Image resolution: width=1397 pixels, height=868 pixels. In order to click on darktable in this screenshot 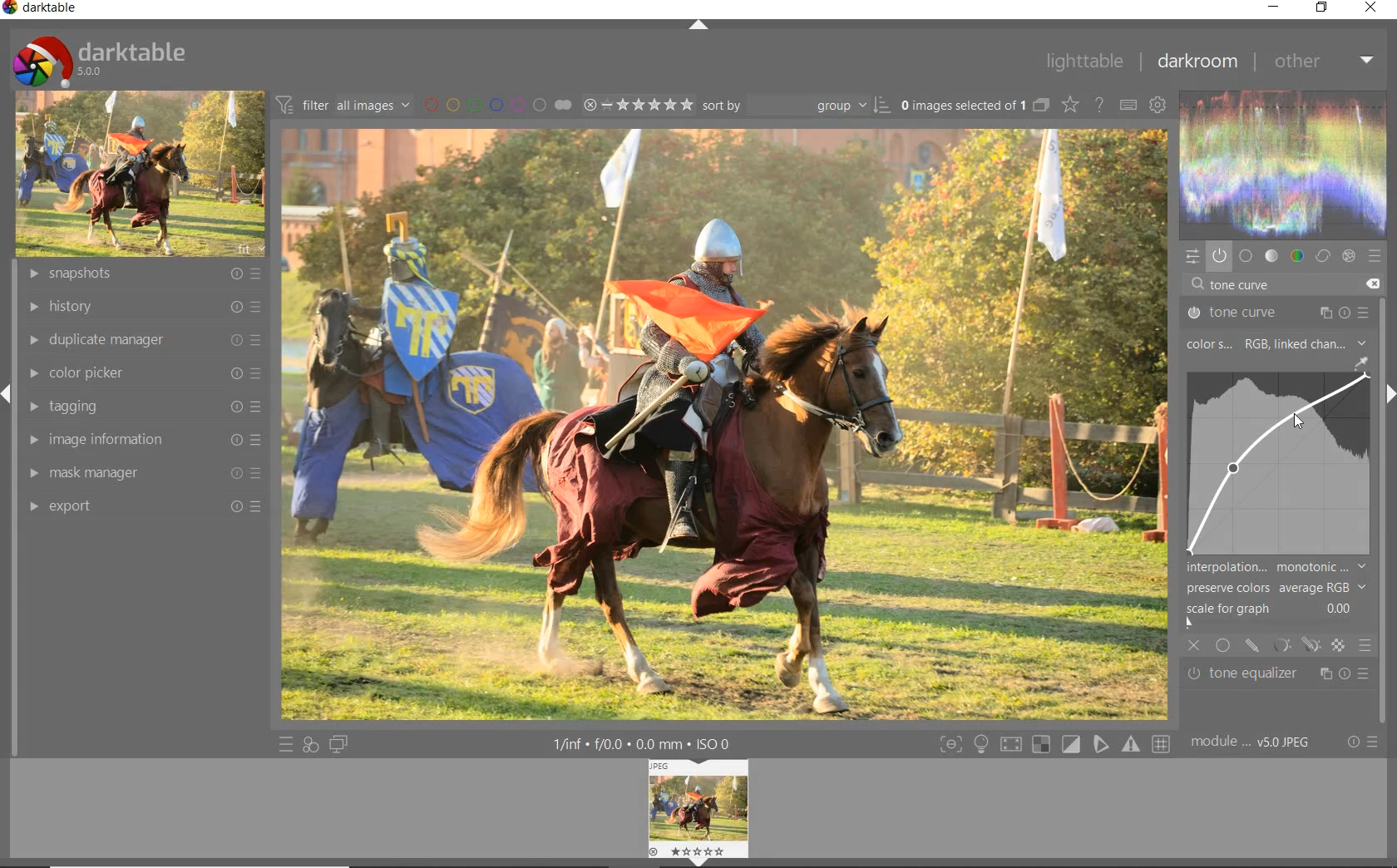, I will do `click(98, 57)`.